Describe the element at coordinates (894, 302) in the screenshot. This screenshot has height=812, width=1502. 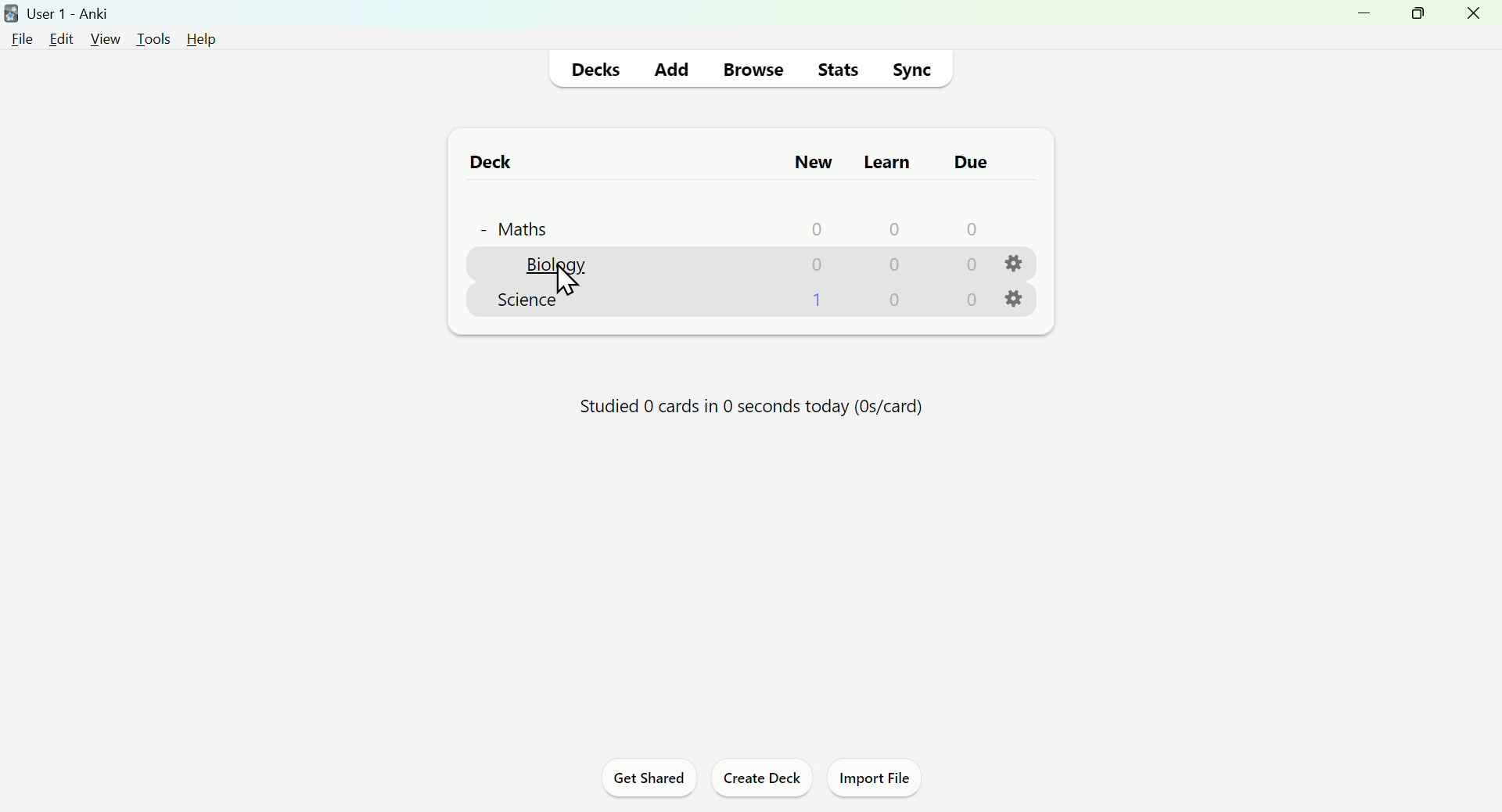
I see `0` at that location.